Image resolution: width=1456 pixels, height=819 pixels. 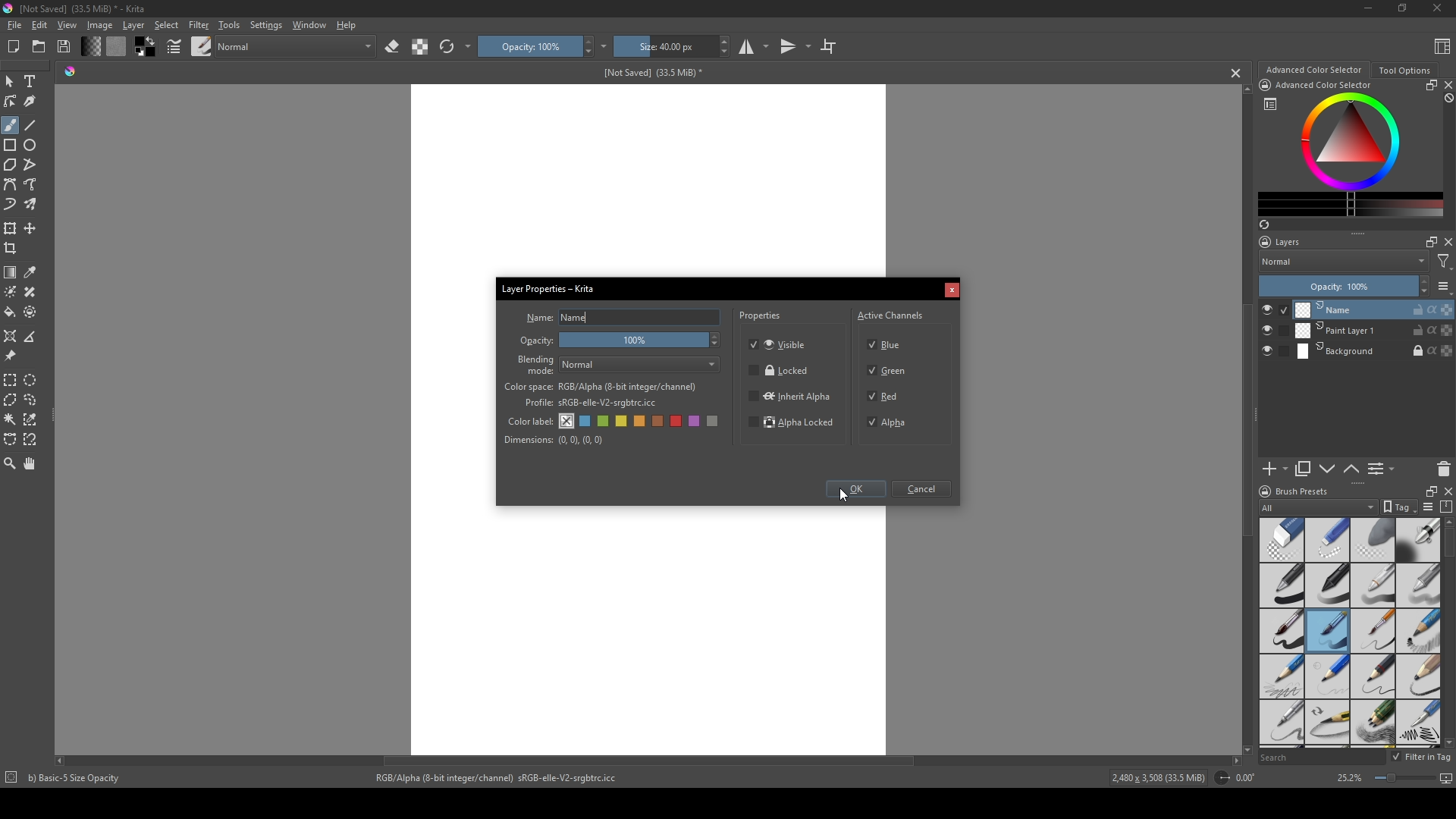 What do you see at coordinates (11, 335) in the screenshot?
I see `assistant` at bounding box center [11, 335].